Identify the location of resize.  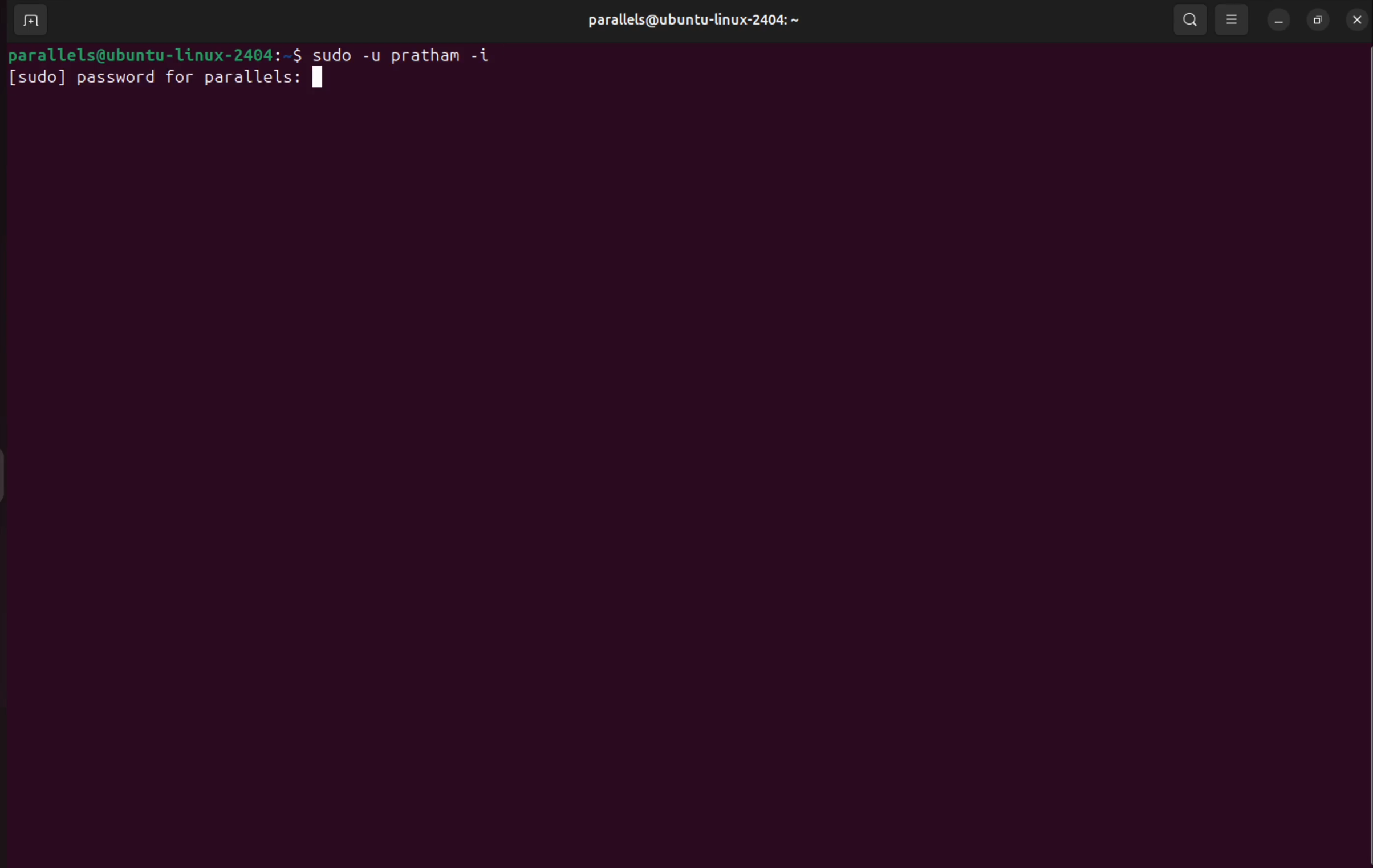
(1318, 20).